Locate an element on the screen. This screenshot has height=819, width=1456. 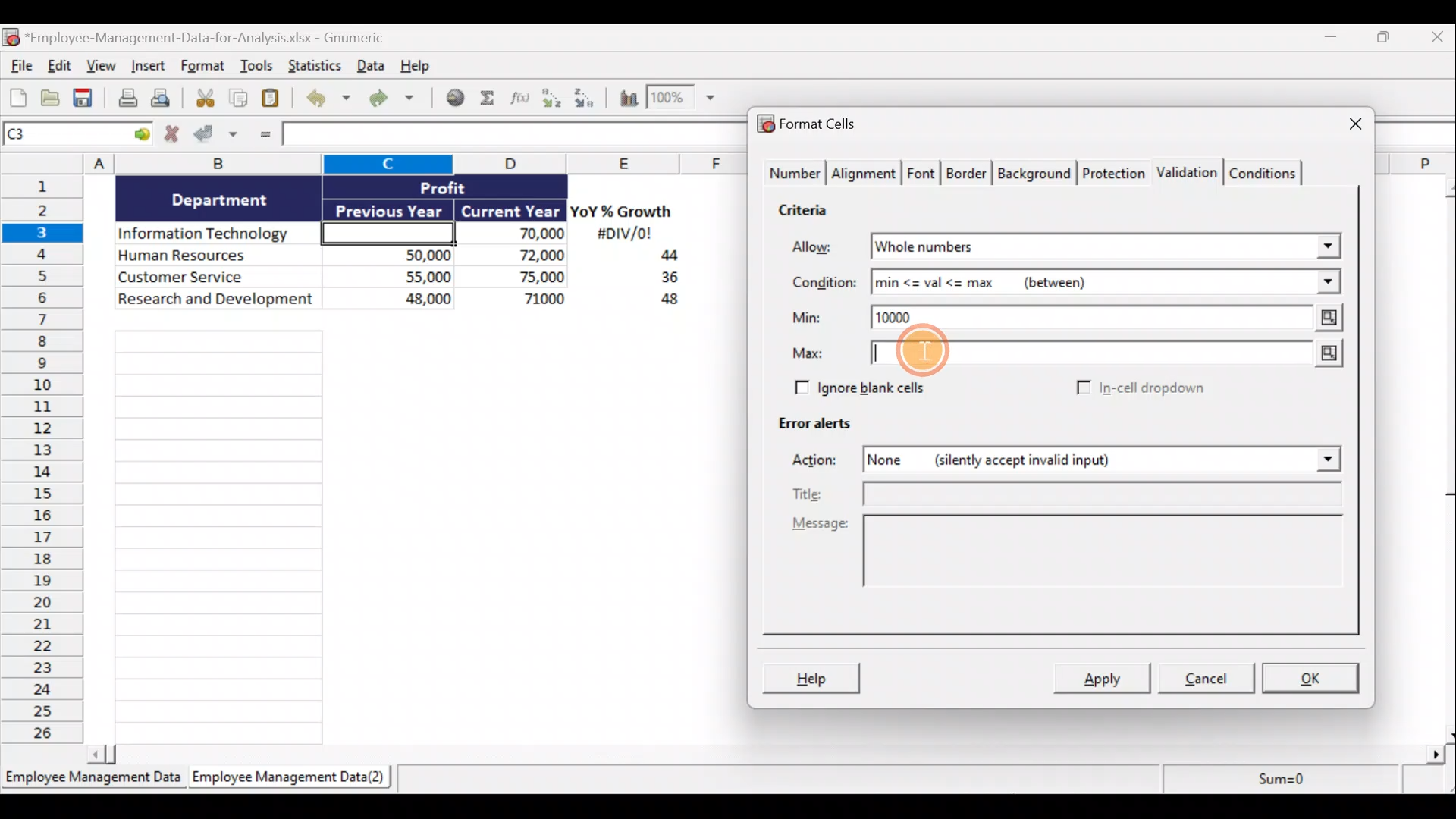
Max value is located at coordinates (1109, 355).